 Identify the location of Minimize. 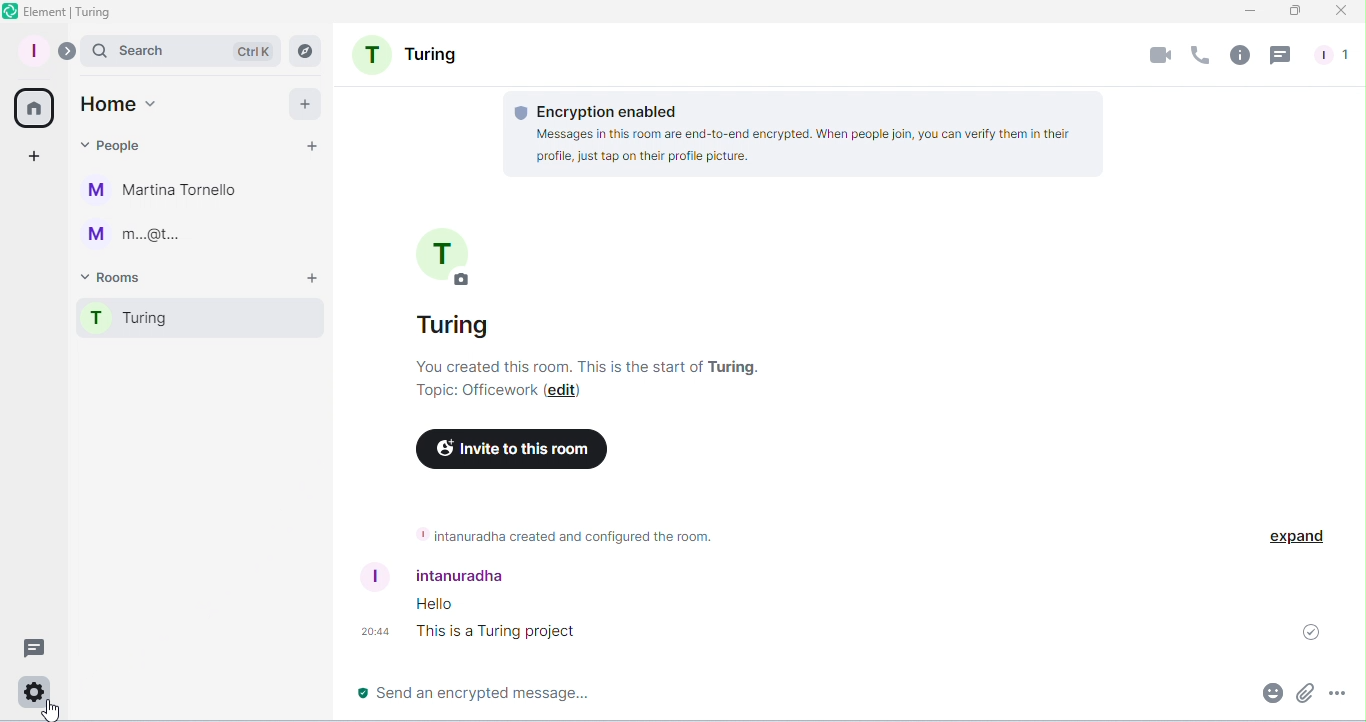
(1250, 12).